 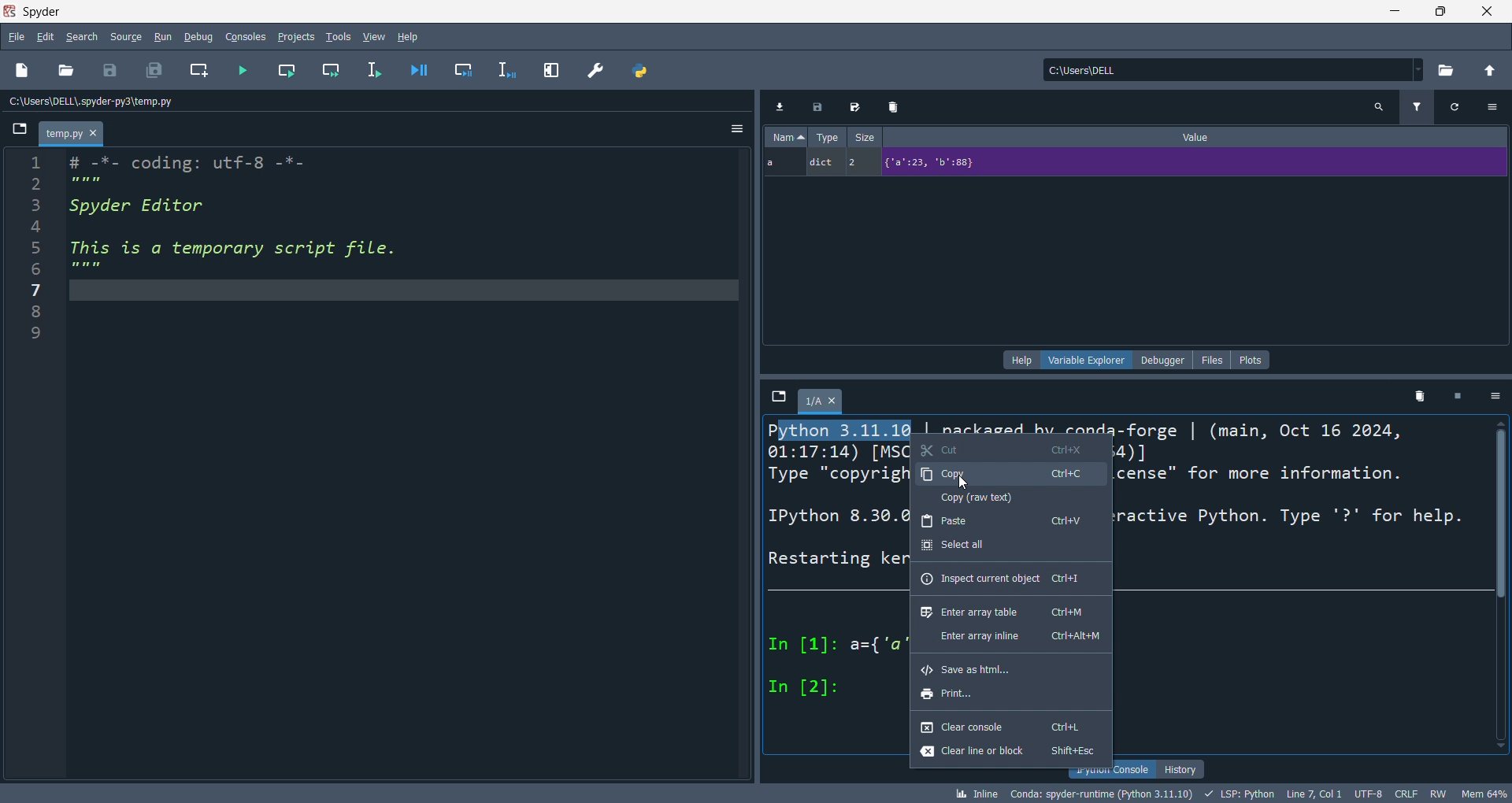 What do you see at coordinates (1313, 794) in the screenshot?
I see `LINE 7, COL 1` at bounding box center [1313, 794].